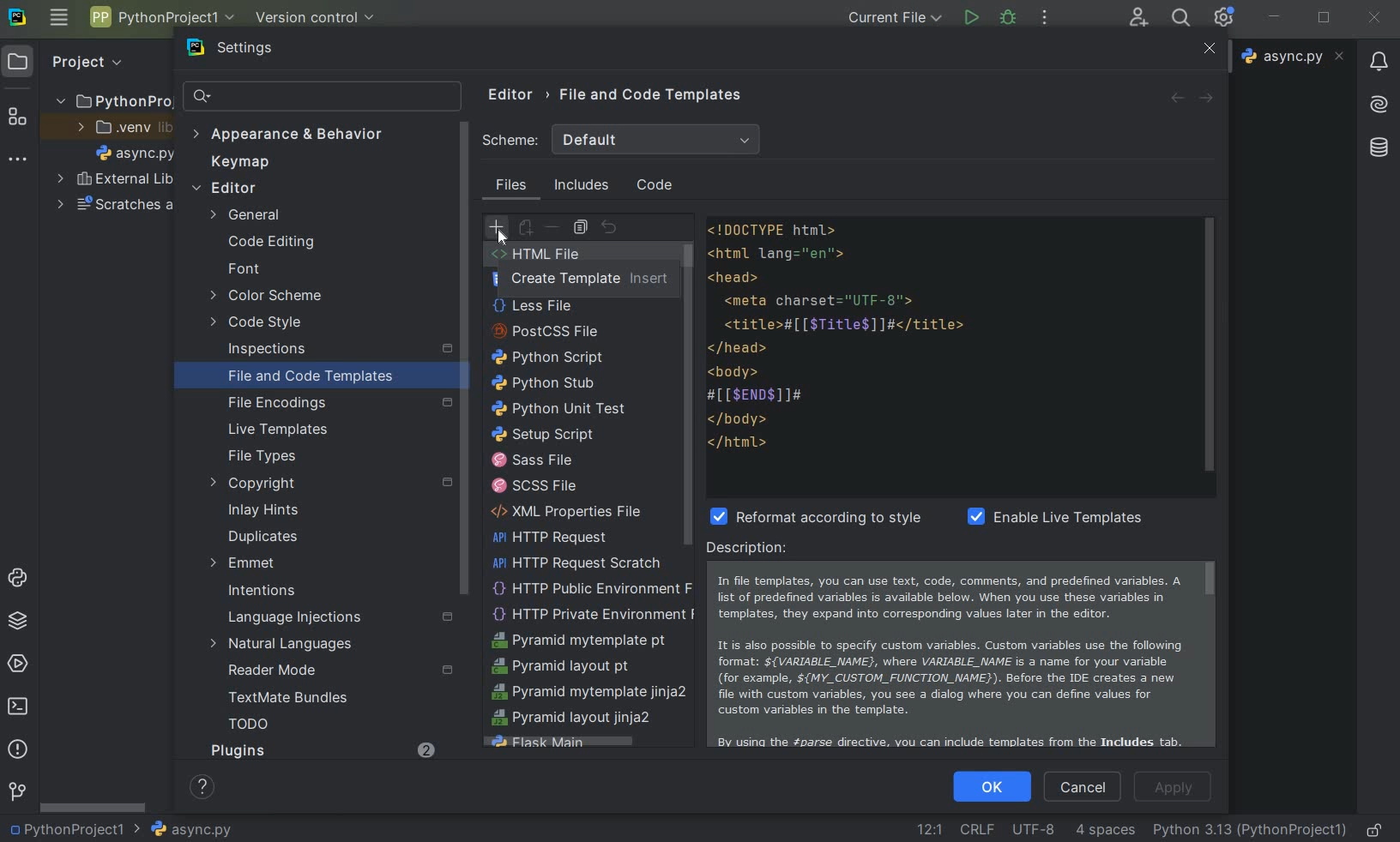 This screenshot has width=1400, height=842. I want to click on show help contents, so click(206, 790).